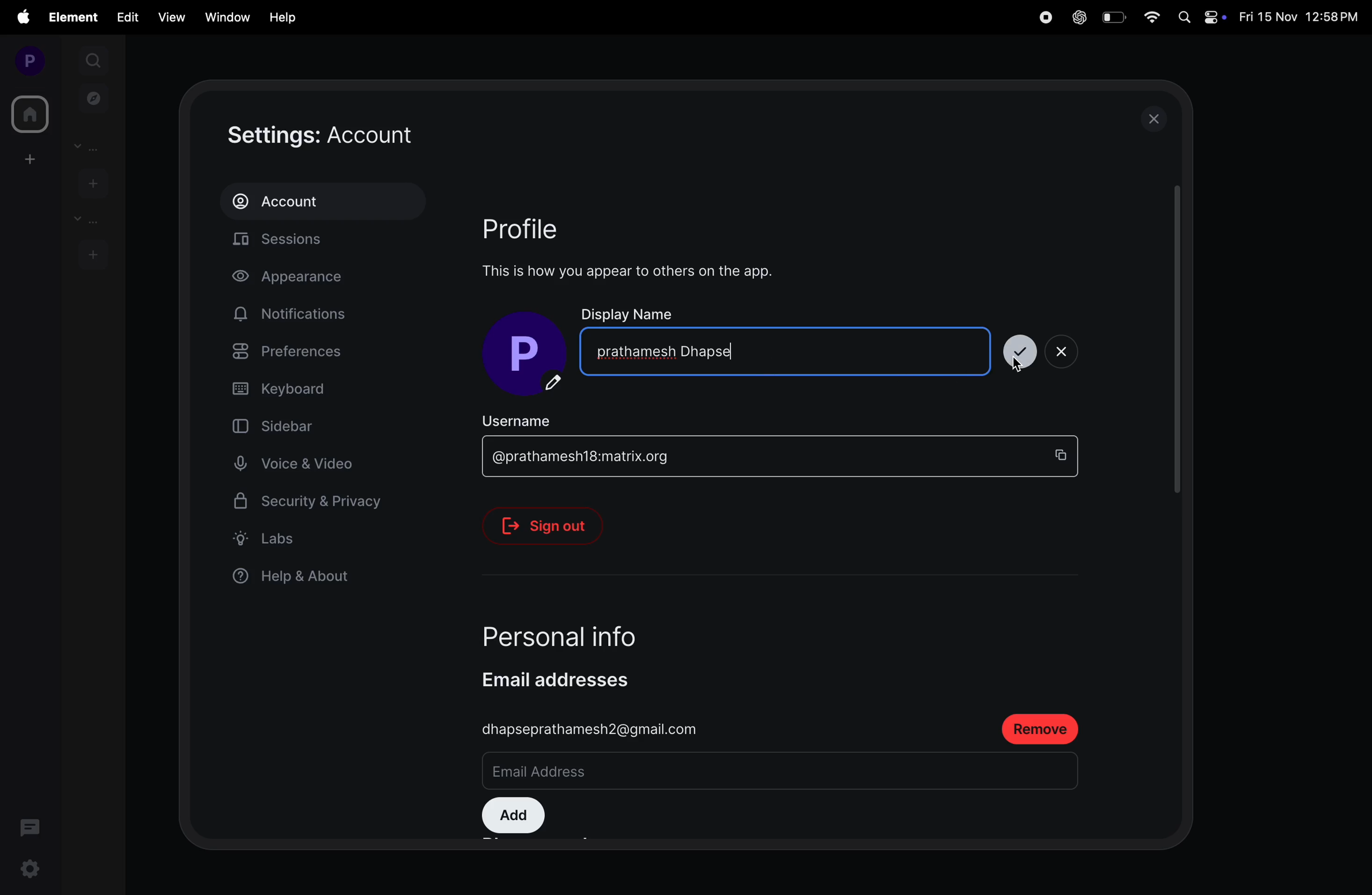  What do you see at coordinates (1043, 17) in the screenshot?
I see `record` at bounding box center [1043, 17].